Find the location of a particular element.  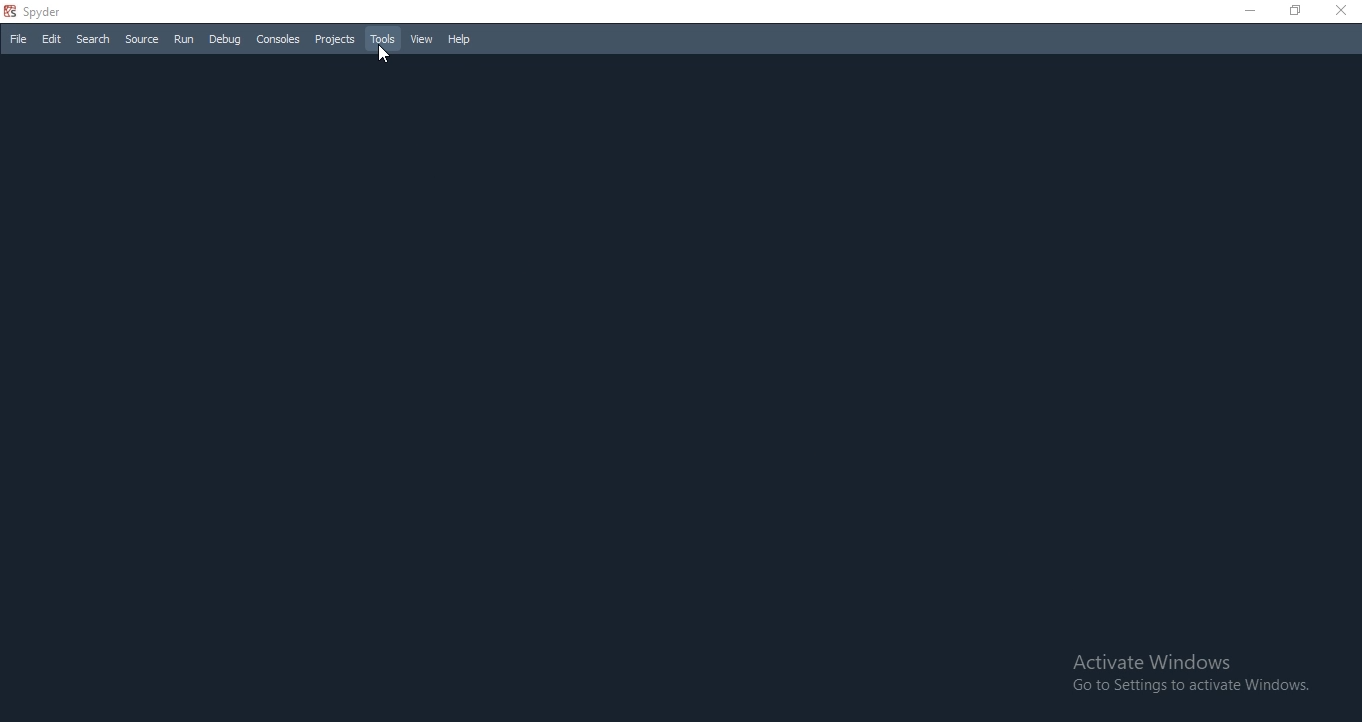

Restore is located at coordinates (1296, 10).